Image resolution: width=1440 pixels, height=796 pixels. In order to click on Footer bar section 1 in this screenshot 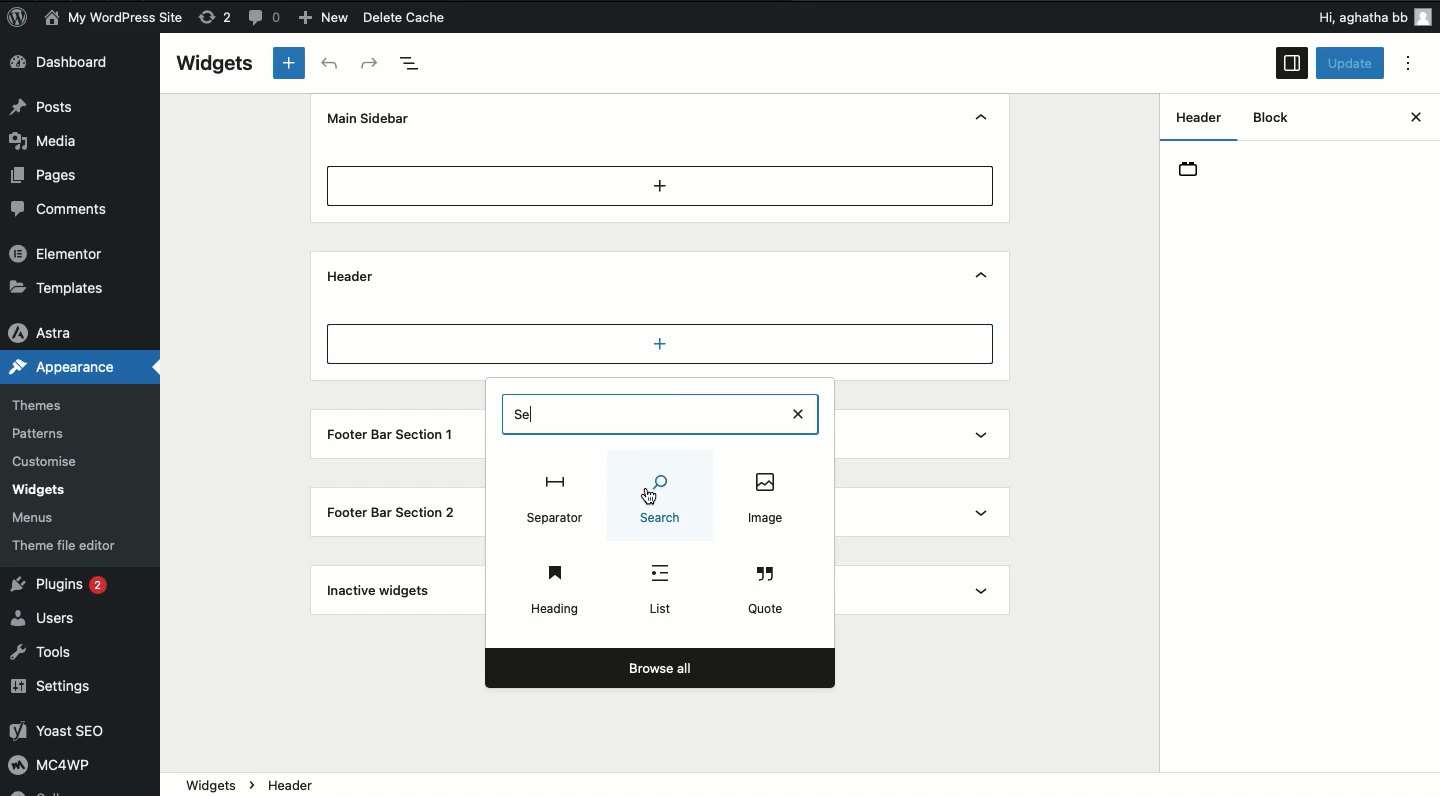, I will do `click(393, 436)`.